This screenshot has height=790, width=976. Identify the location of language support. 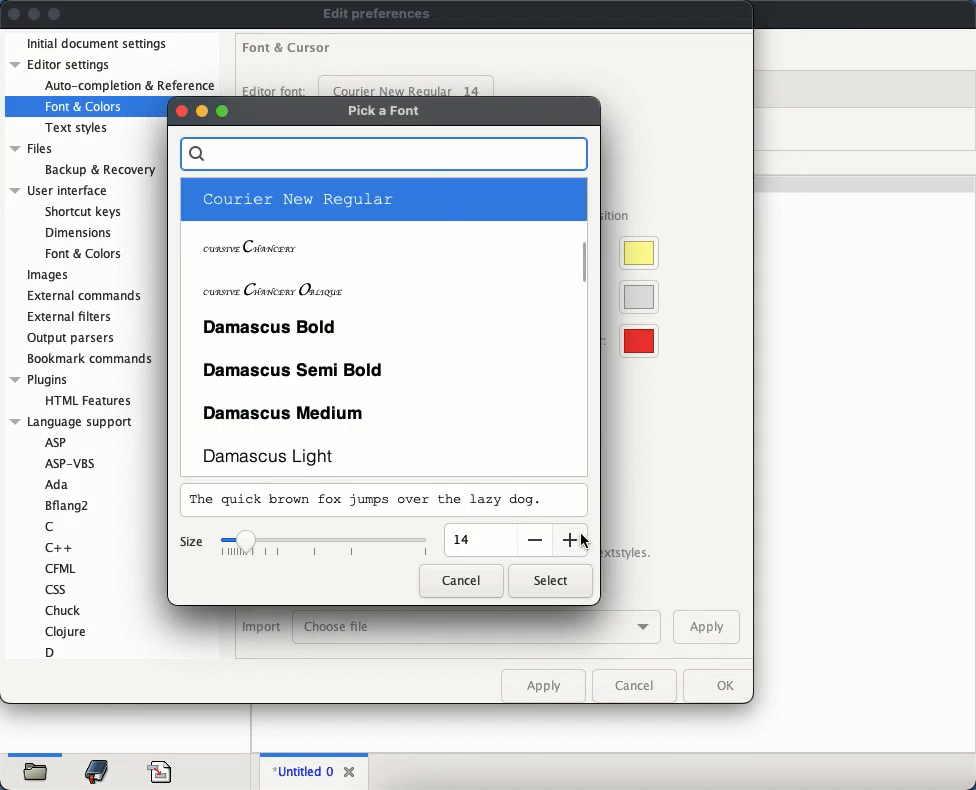
(71, 422).